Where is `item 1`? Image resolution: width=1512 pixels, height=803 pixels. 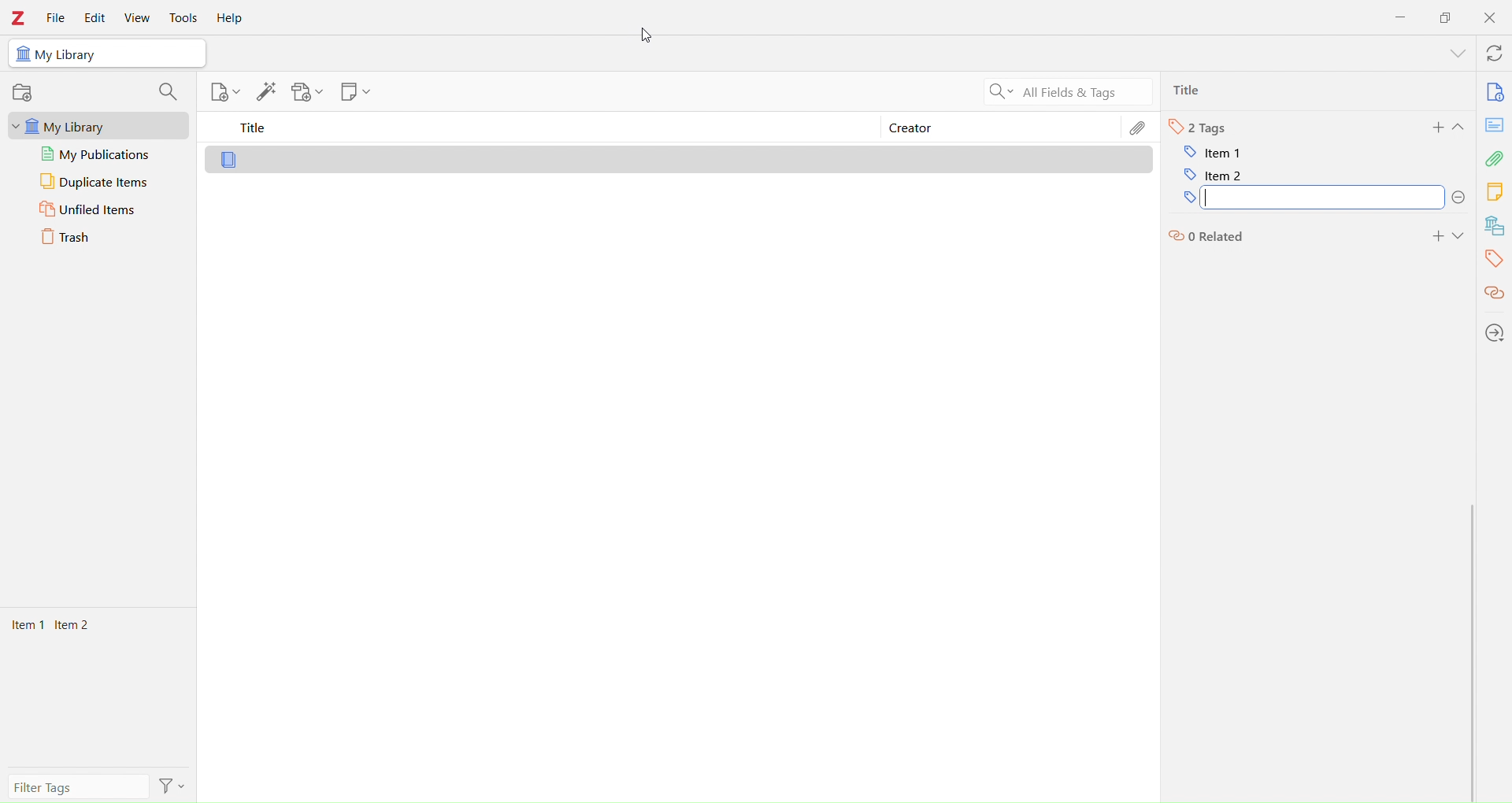 item 1 is located at coordinates (1215, 152).